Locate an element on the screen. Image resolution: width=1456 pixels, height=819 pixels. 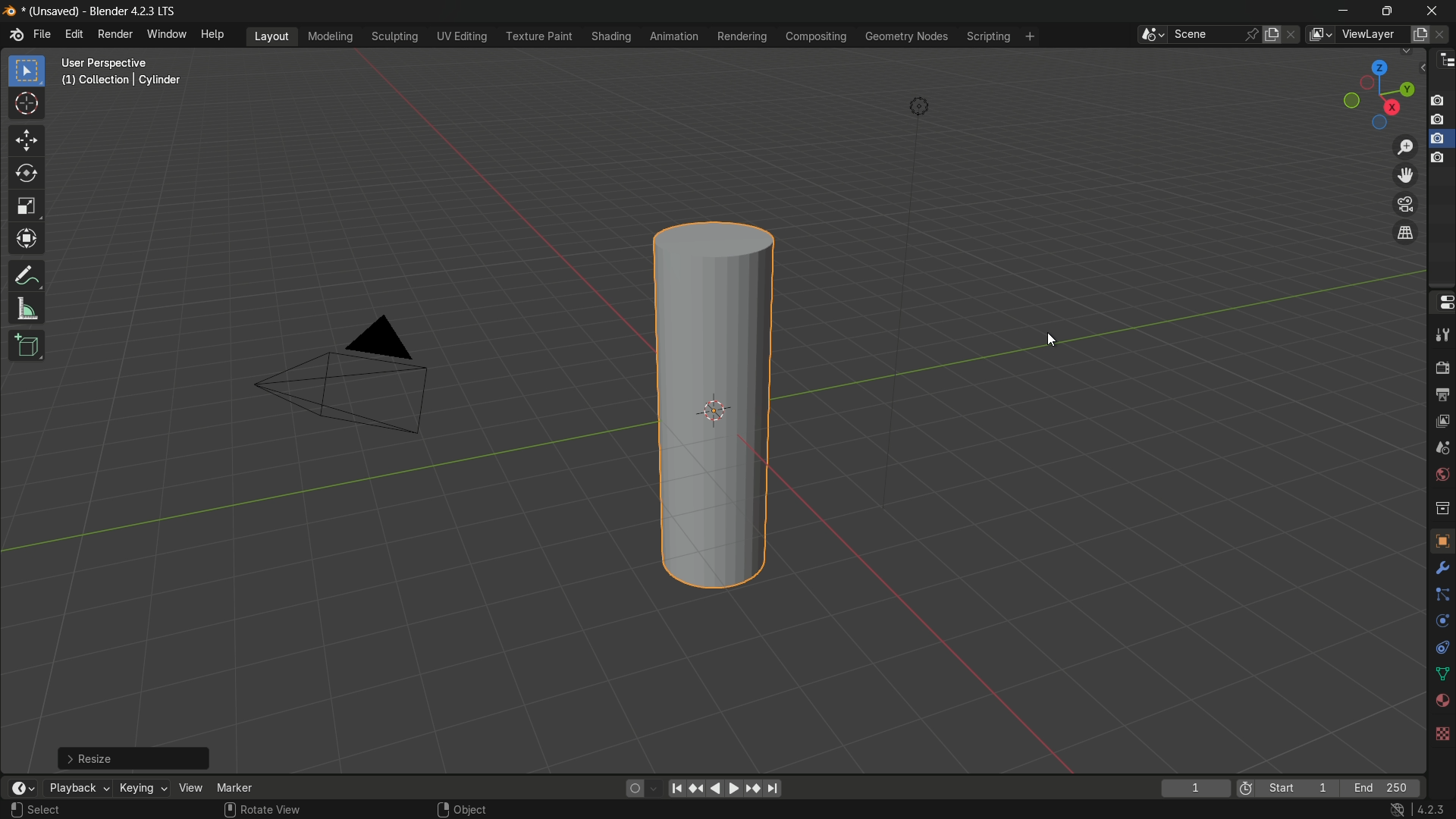
views is located at coordinates (1319, 35).